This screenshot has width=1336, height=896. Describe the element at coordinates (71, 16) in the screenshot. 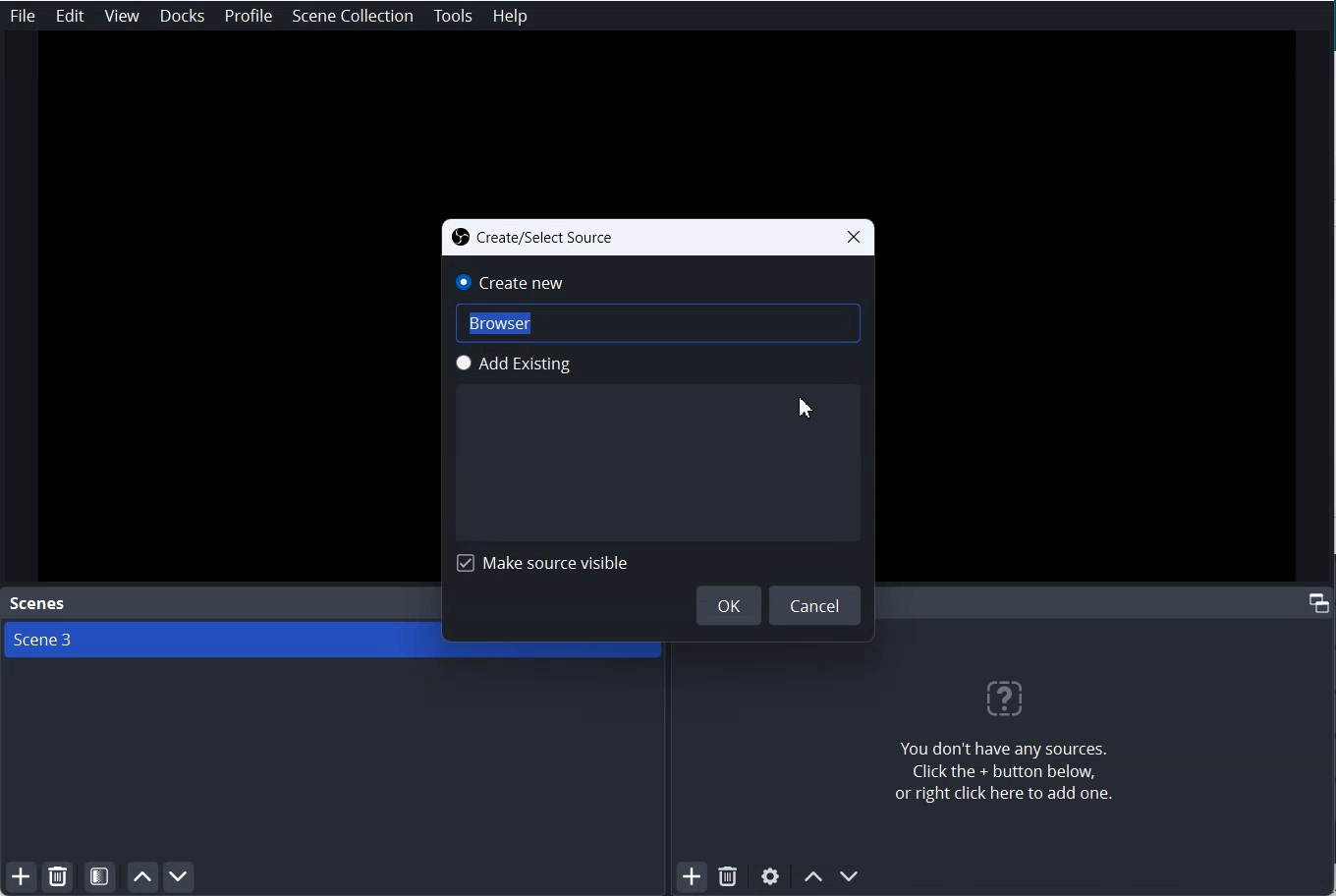

I see `Edit` at that location.